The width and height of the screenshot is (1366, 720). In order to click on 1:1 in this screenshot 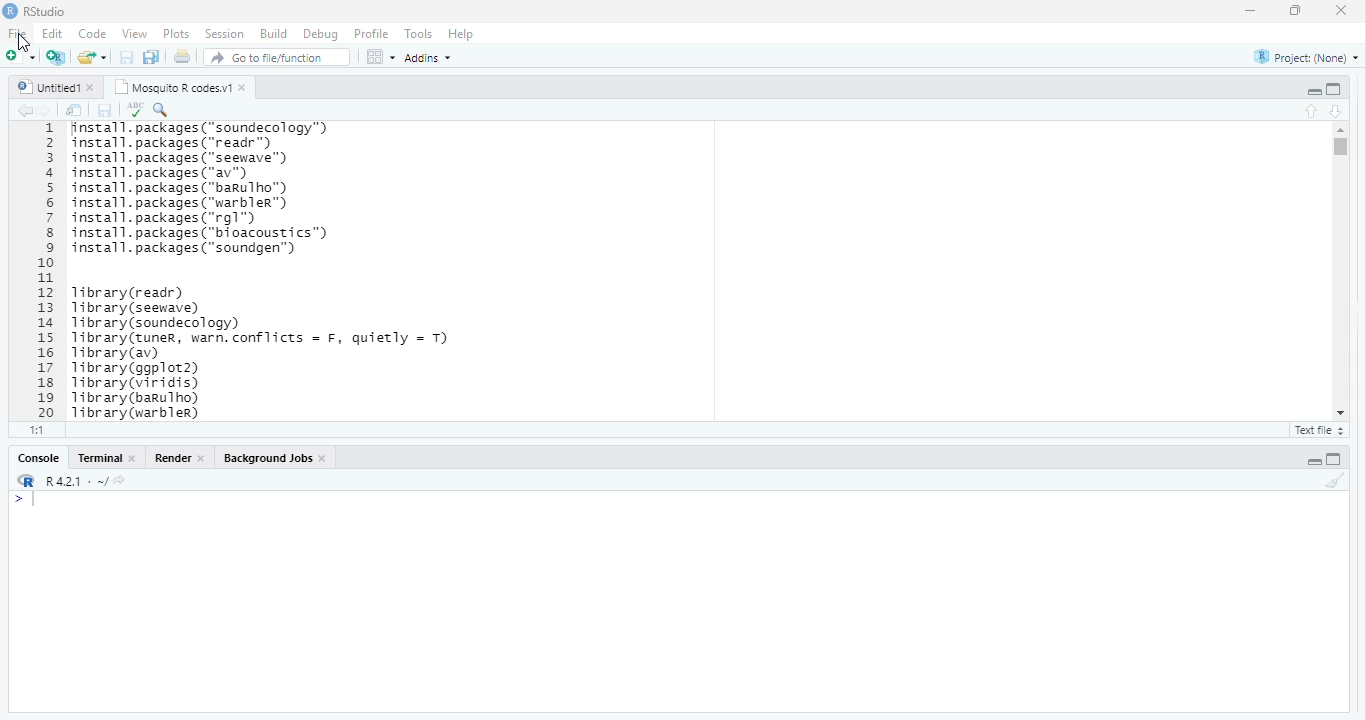, I will do `click(38, 429)`.